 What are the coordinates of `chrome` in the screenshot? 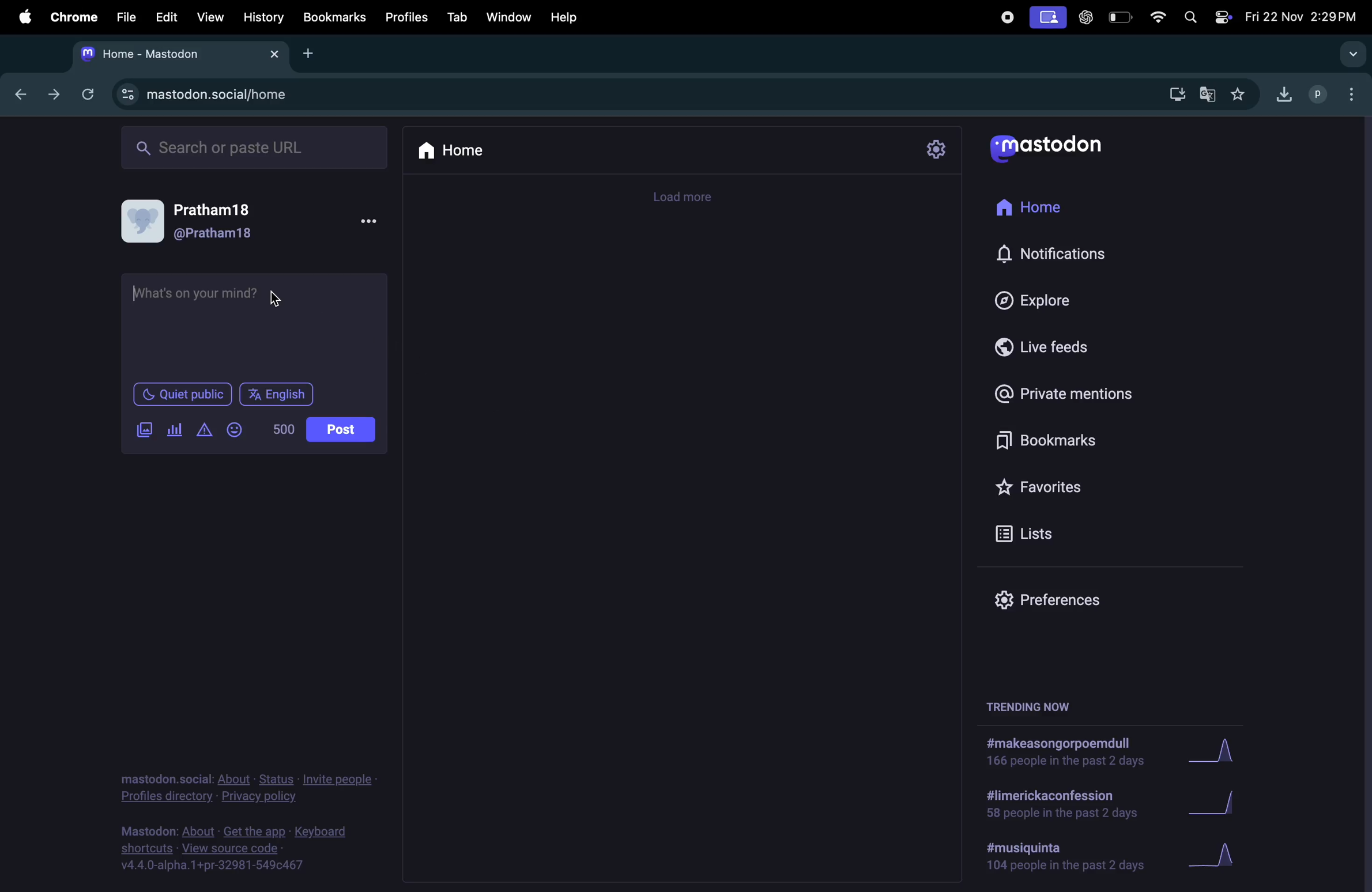 It's located at (70, 16).